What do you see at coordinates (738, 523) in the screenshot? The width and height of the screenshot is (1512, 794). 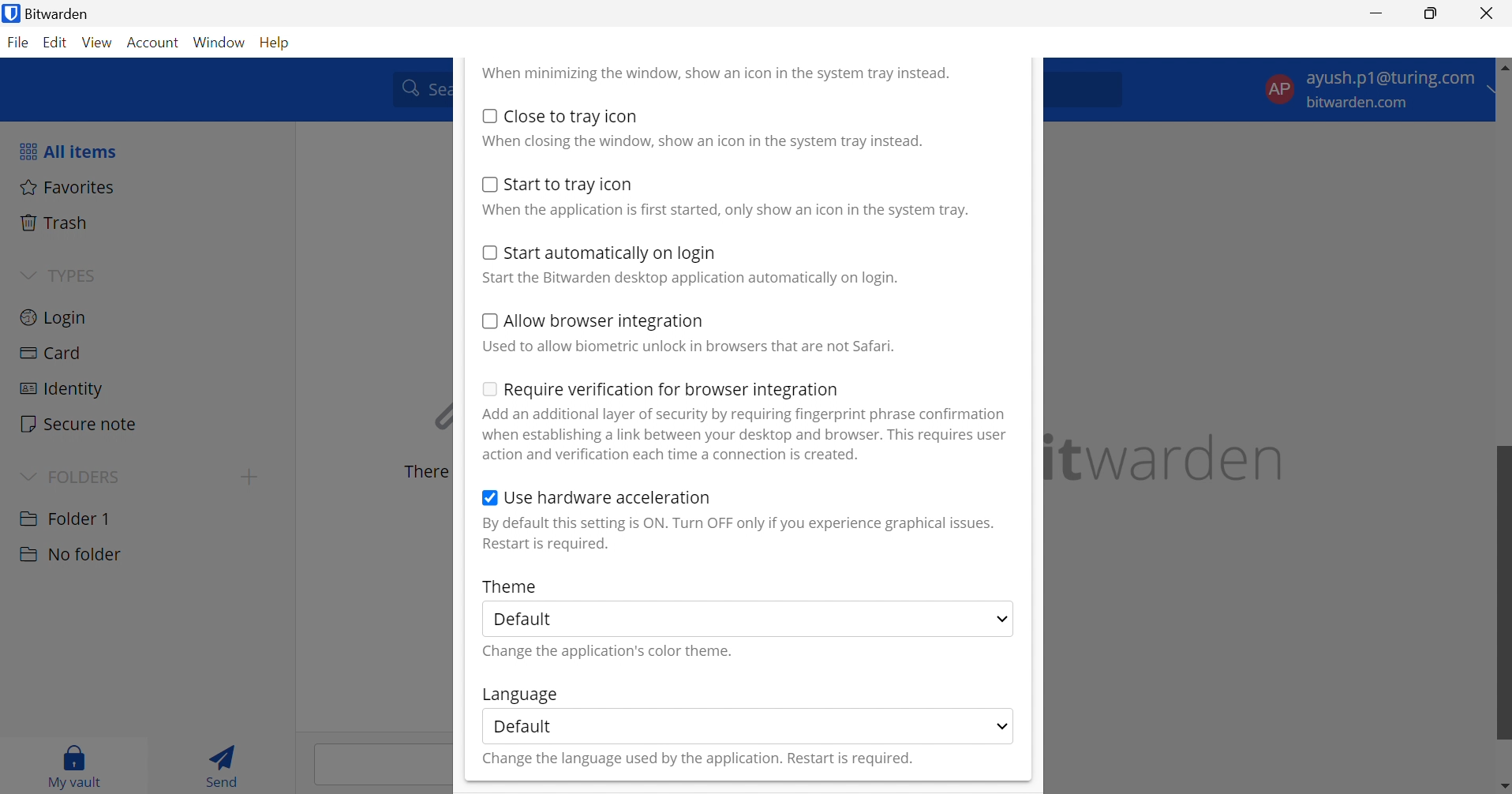 I see `By default this setting is ON. Turn OFF only if you experiencing graphical issues.` at bounding box center [738, 523].